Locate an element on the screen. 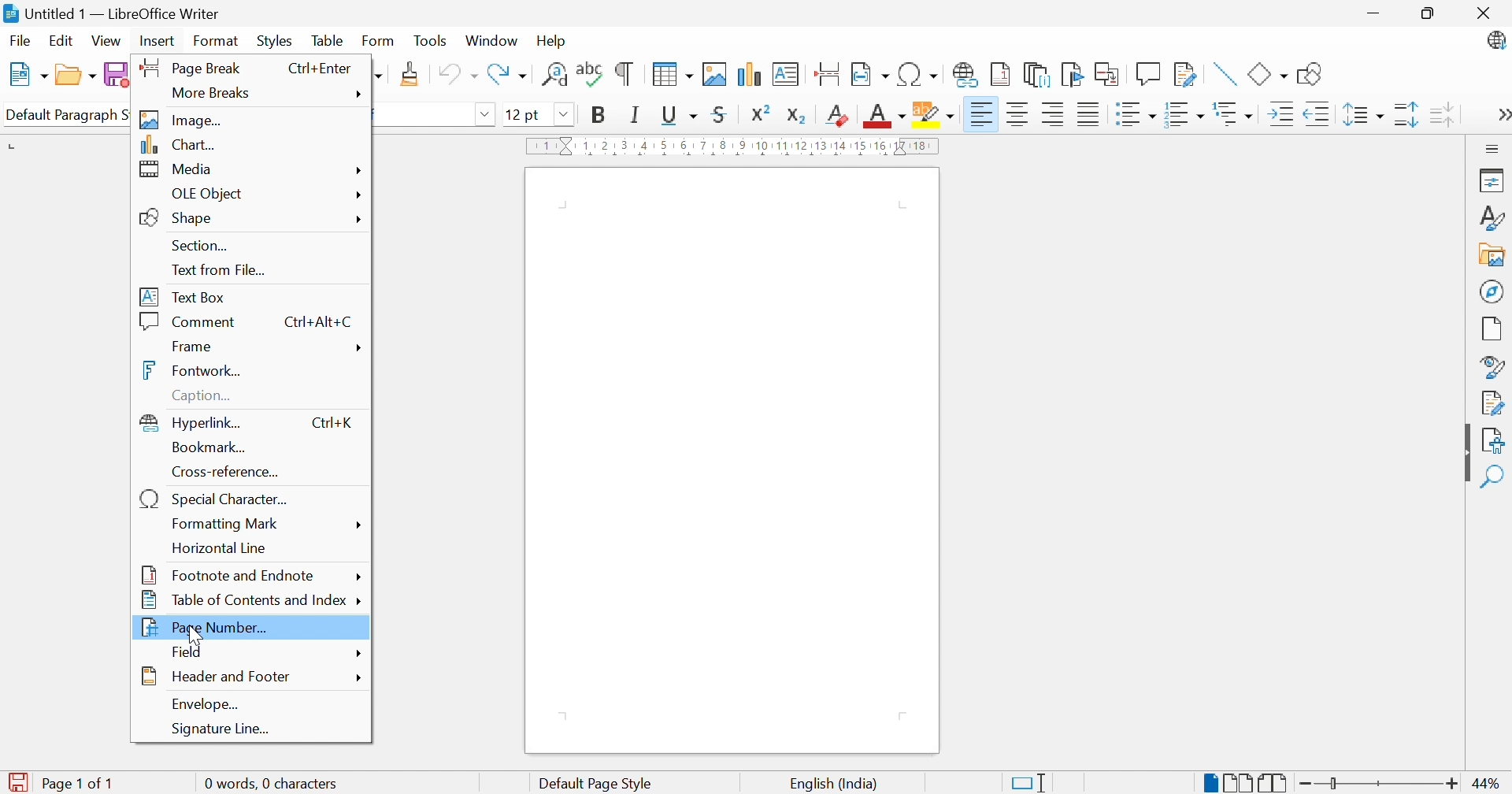 Image resolution: width=1512 pixels, height=794 pixels. Minimize is located at coordinates (1376, 12).